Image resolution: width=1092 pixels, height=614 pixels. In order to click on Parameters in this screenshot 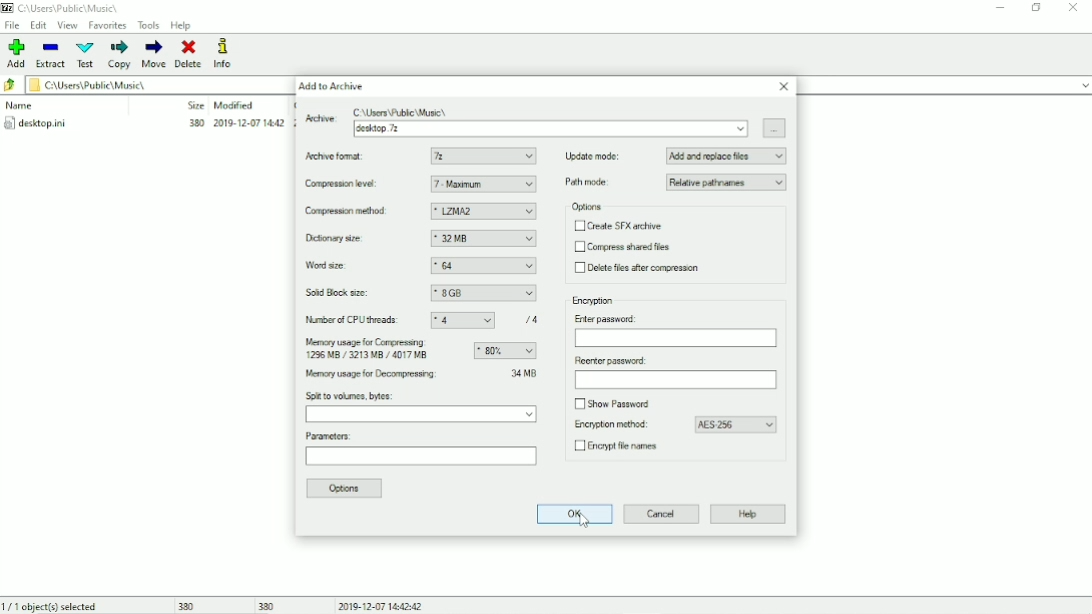, I will do `click(330, 436)`.